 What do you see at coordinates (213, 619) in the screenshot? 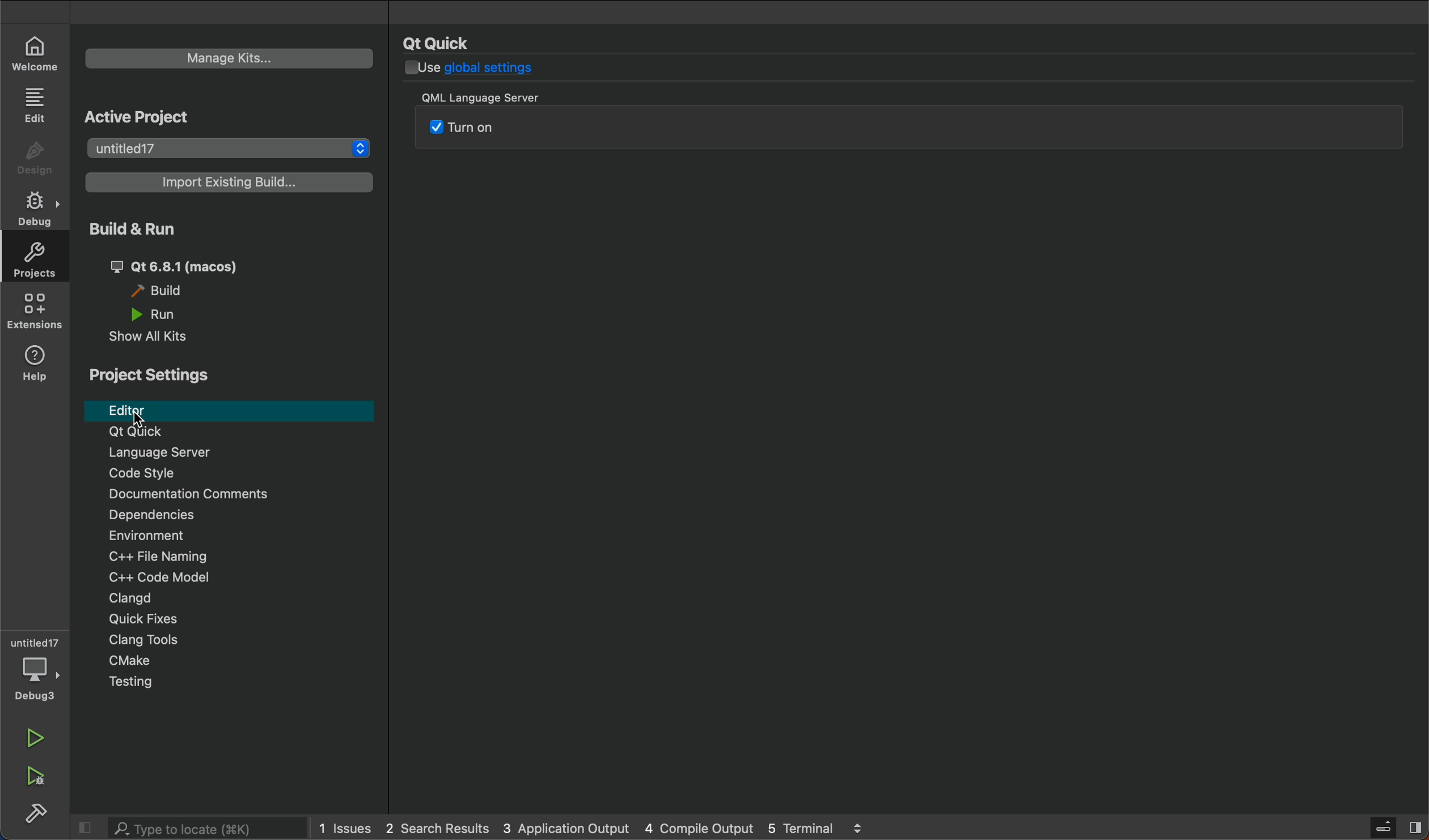
I see `Quick Fixes` at bounding box center [213, 619].